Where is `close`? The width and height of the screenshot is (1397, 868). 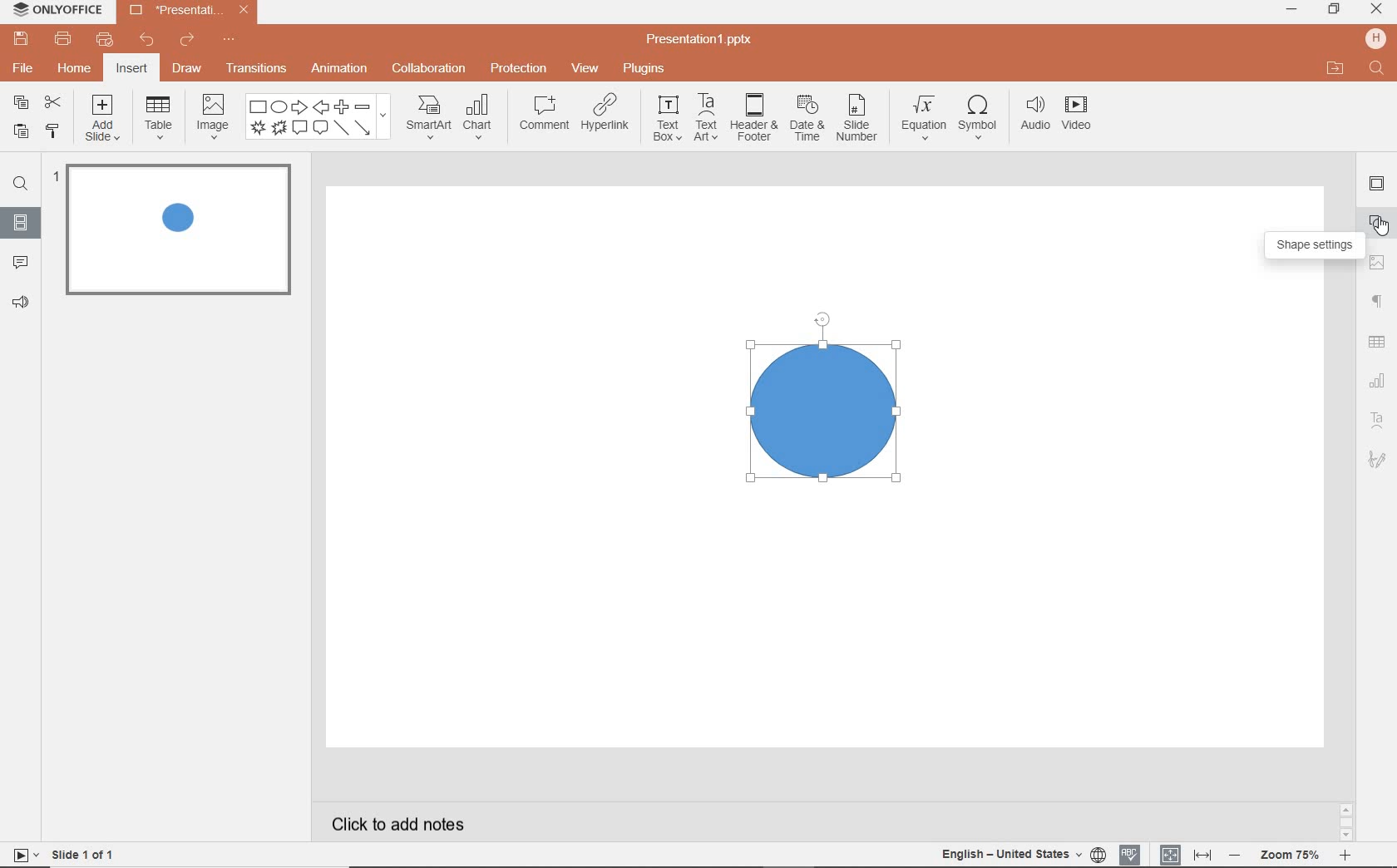
close is located at coordinates (1376, 11).